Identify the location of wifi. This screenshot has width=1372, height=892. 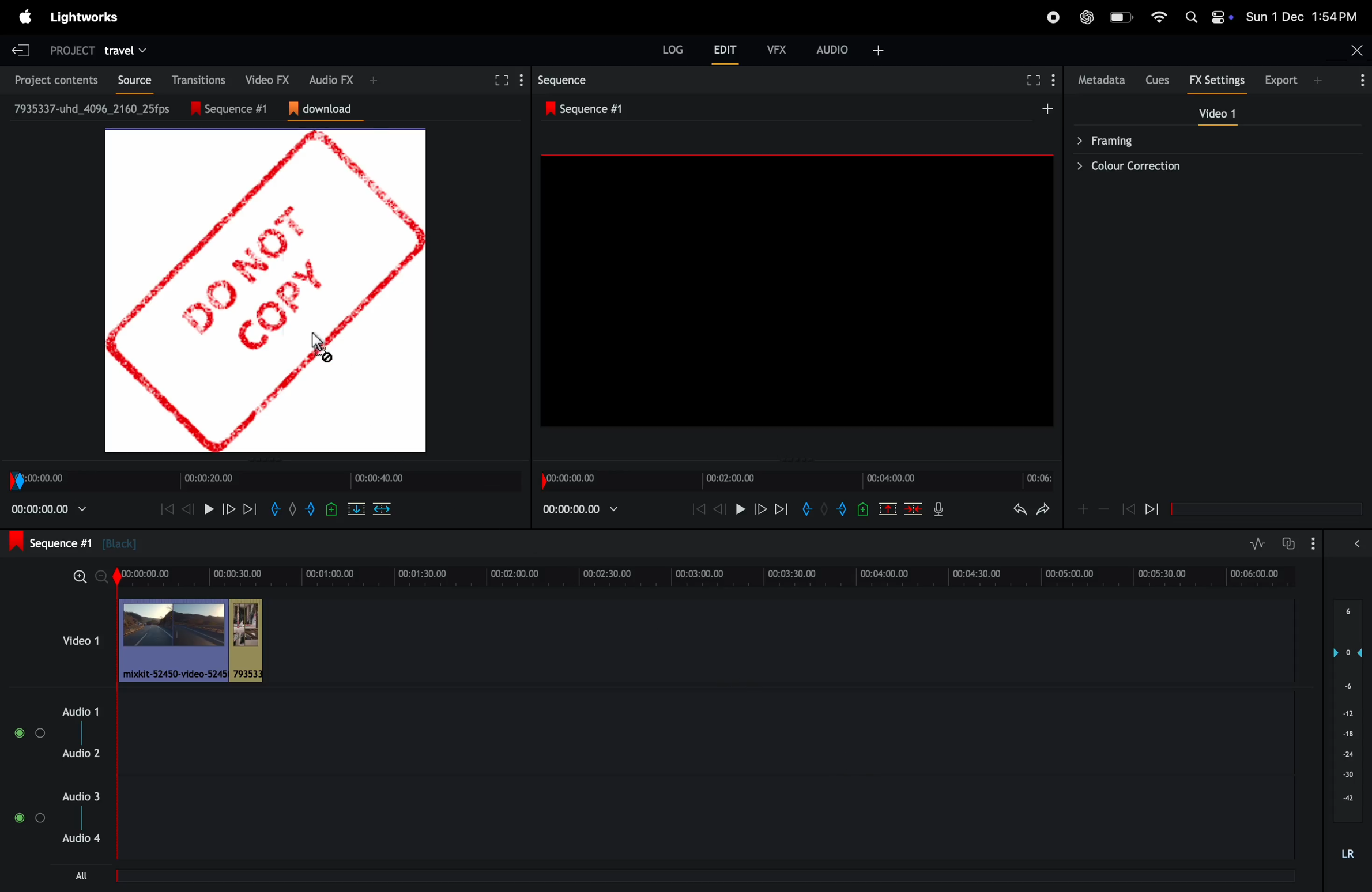
(1159, 17).